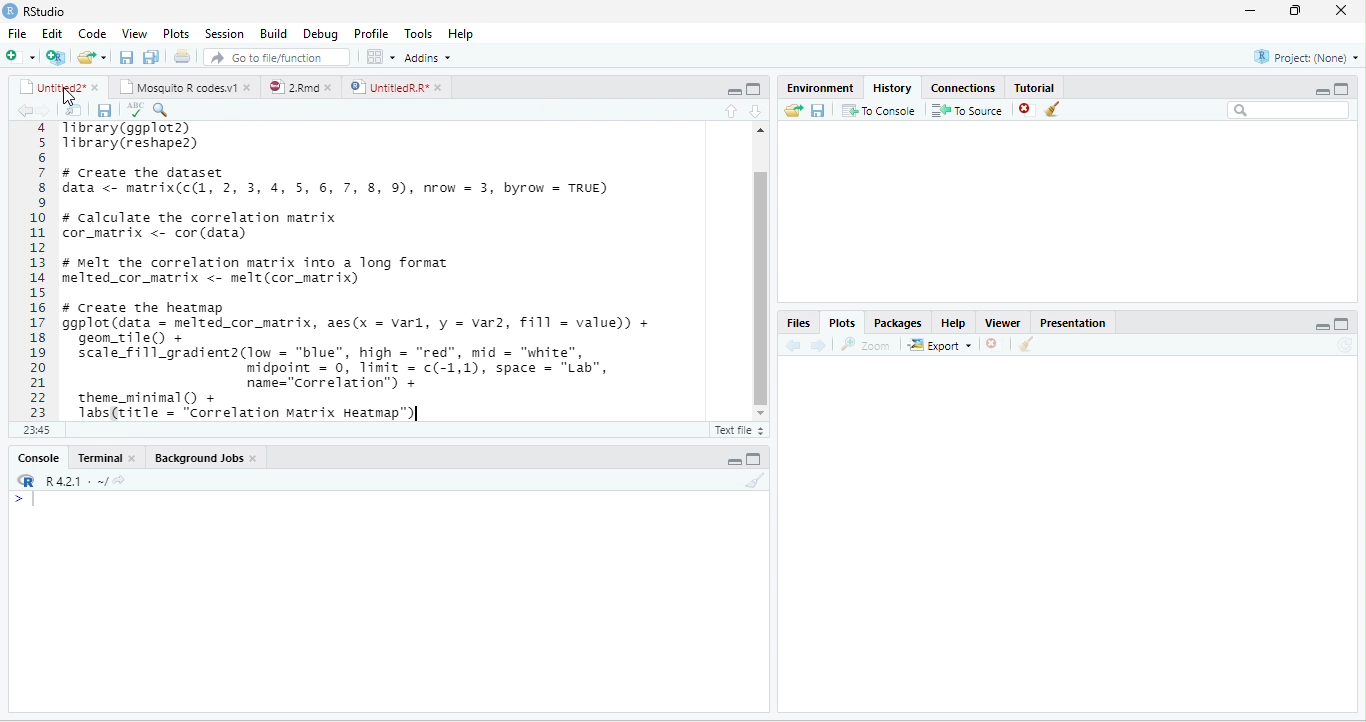  I want to click on minimize, so click(734, 460).